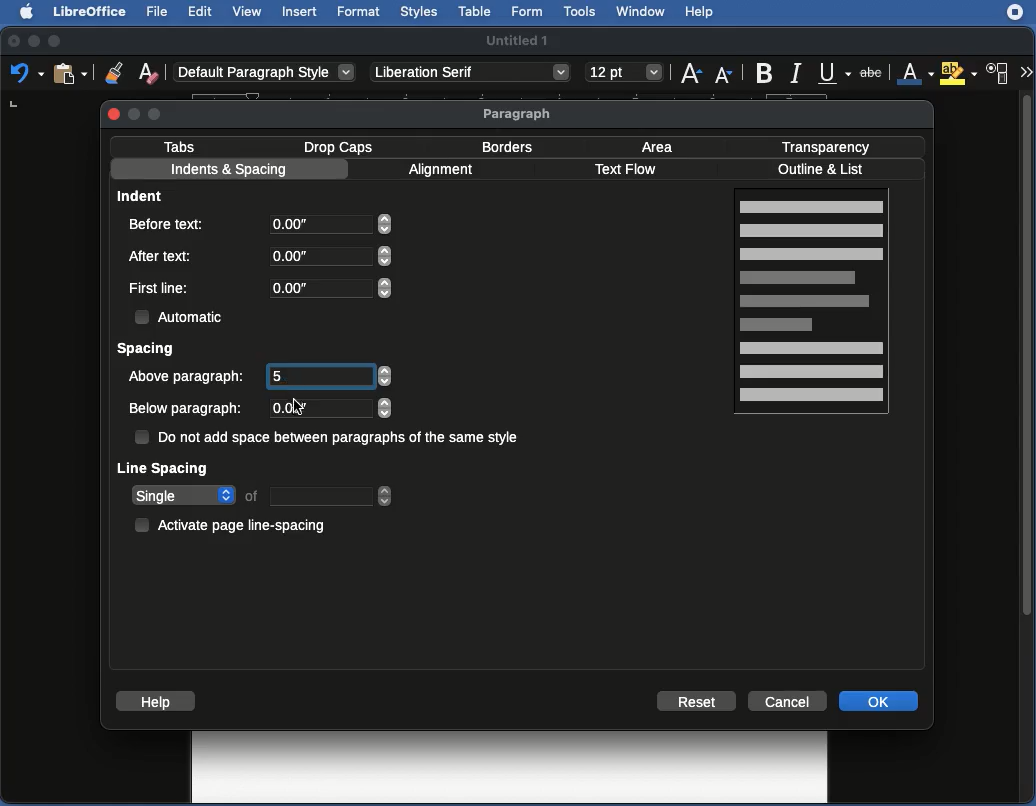 The width and height of the screenshot is (1036, 806). Describe the element at coordinates (640, 12) in the screenshot. I see `Window` at that location.